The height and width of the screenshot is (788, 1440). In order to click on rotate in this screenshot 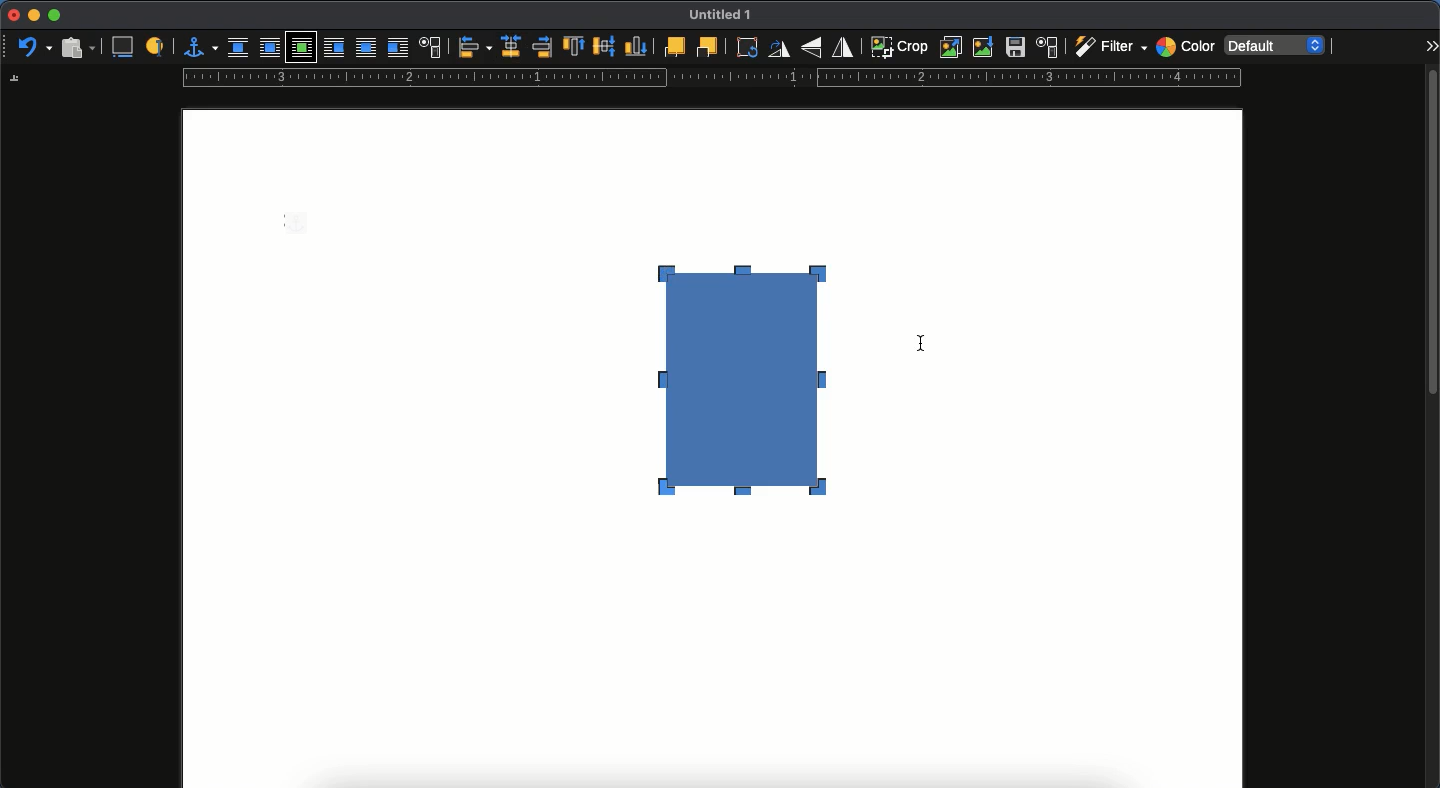, I will do `click(744, 47)`.